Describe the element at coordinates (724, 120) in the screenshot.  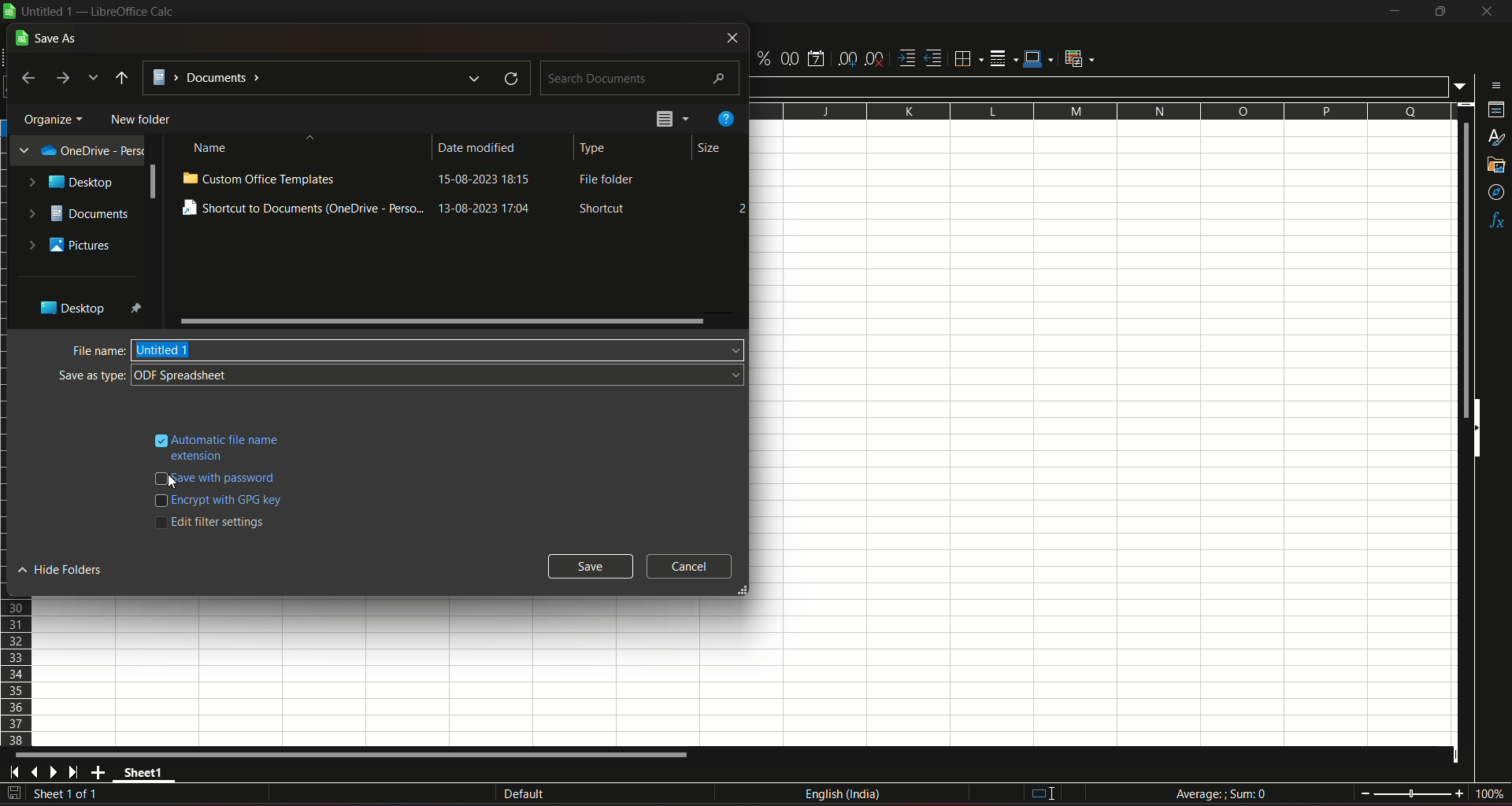
I see `help` at that location.